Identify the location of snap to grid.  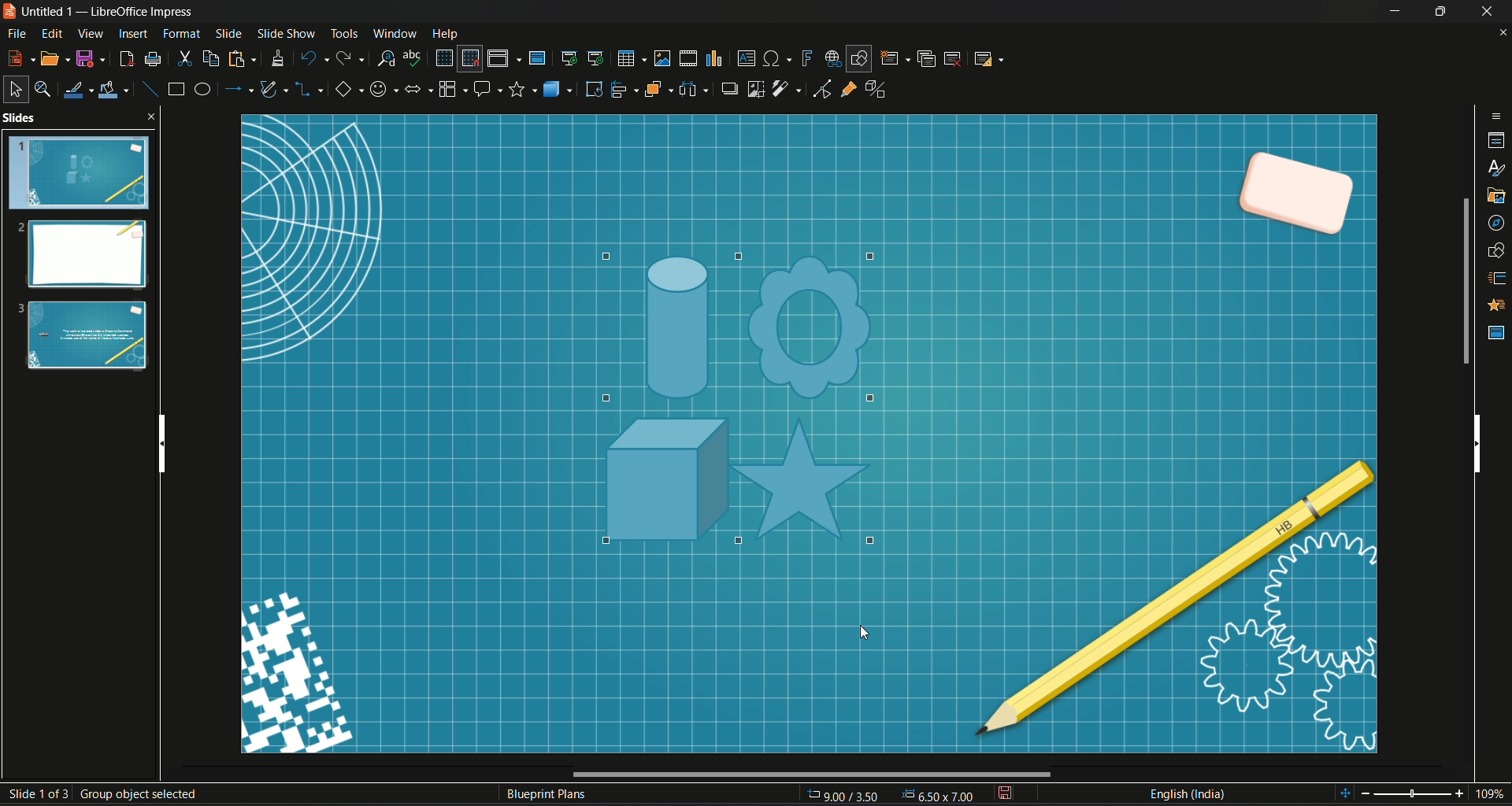
(469, 59).